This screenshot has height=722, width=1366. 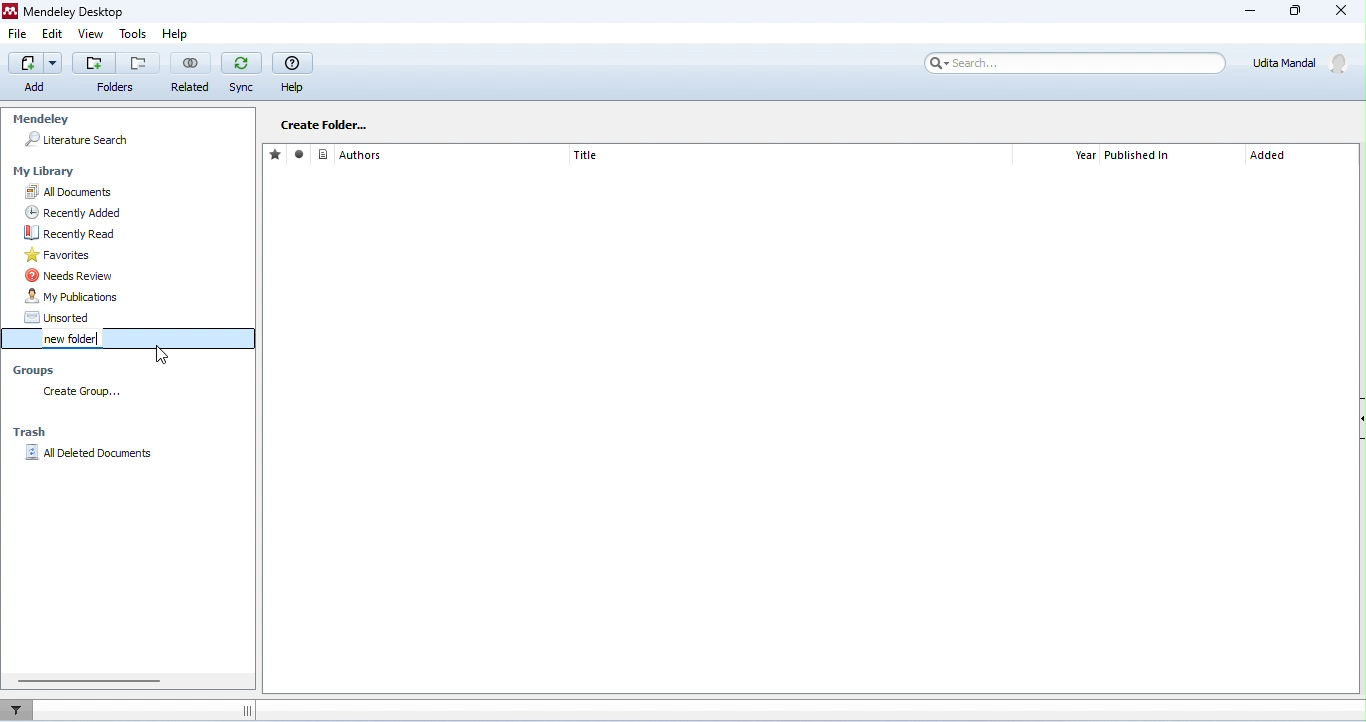 What do you see at coordinates (302, 155) in the screenshot?
I see `read / unread` at bounding box center [302, 155].